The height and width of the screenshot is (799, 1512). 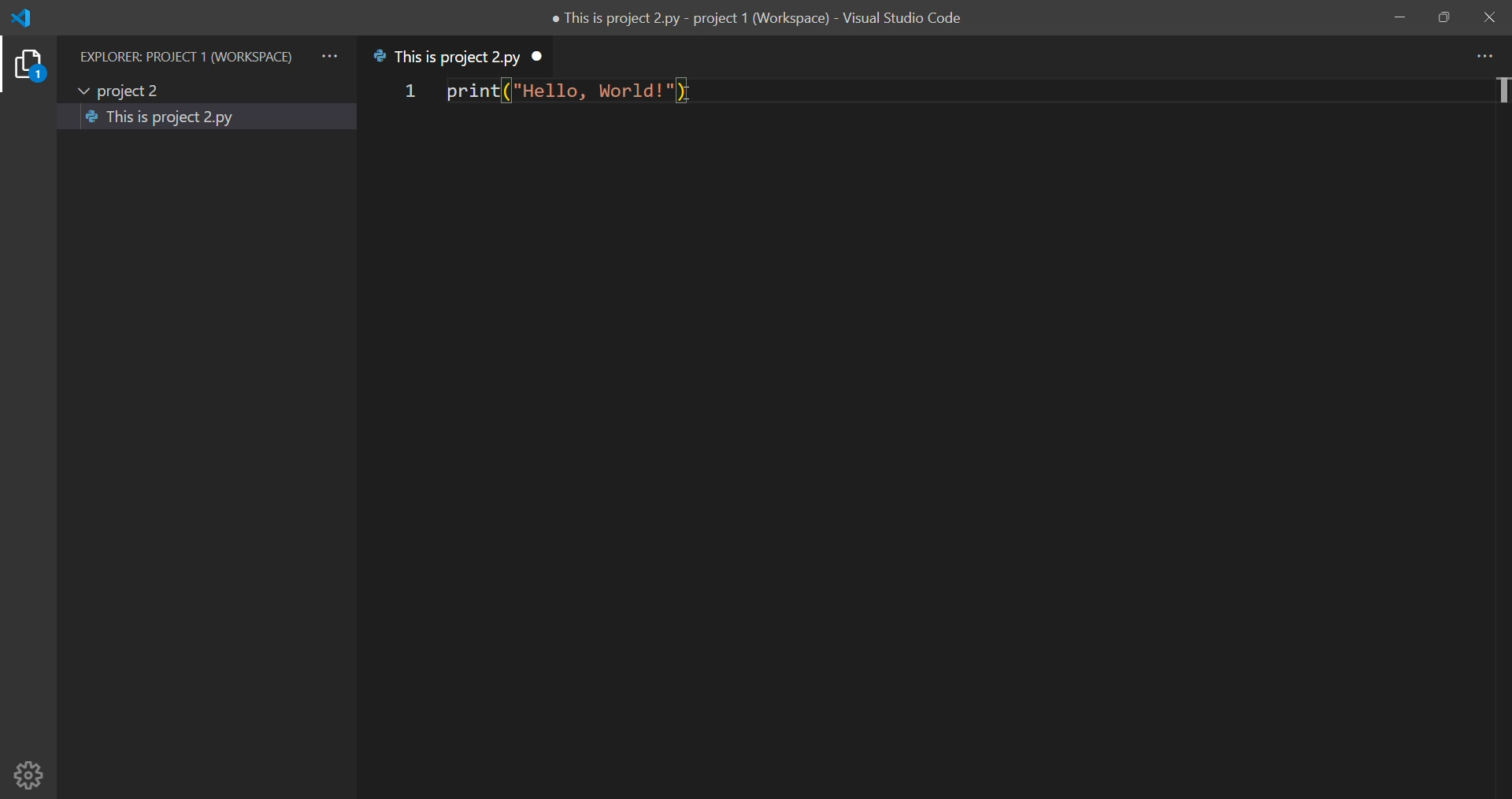 I want to click on more actions, so click(x=329, y=56).